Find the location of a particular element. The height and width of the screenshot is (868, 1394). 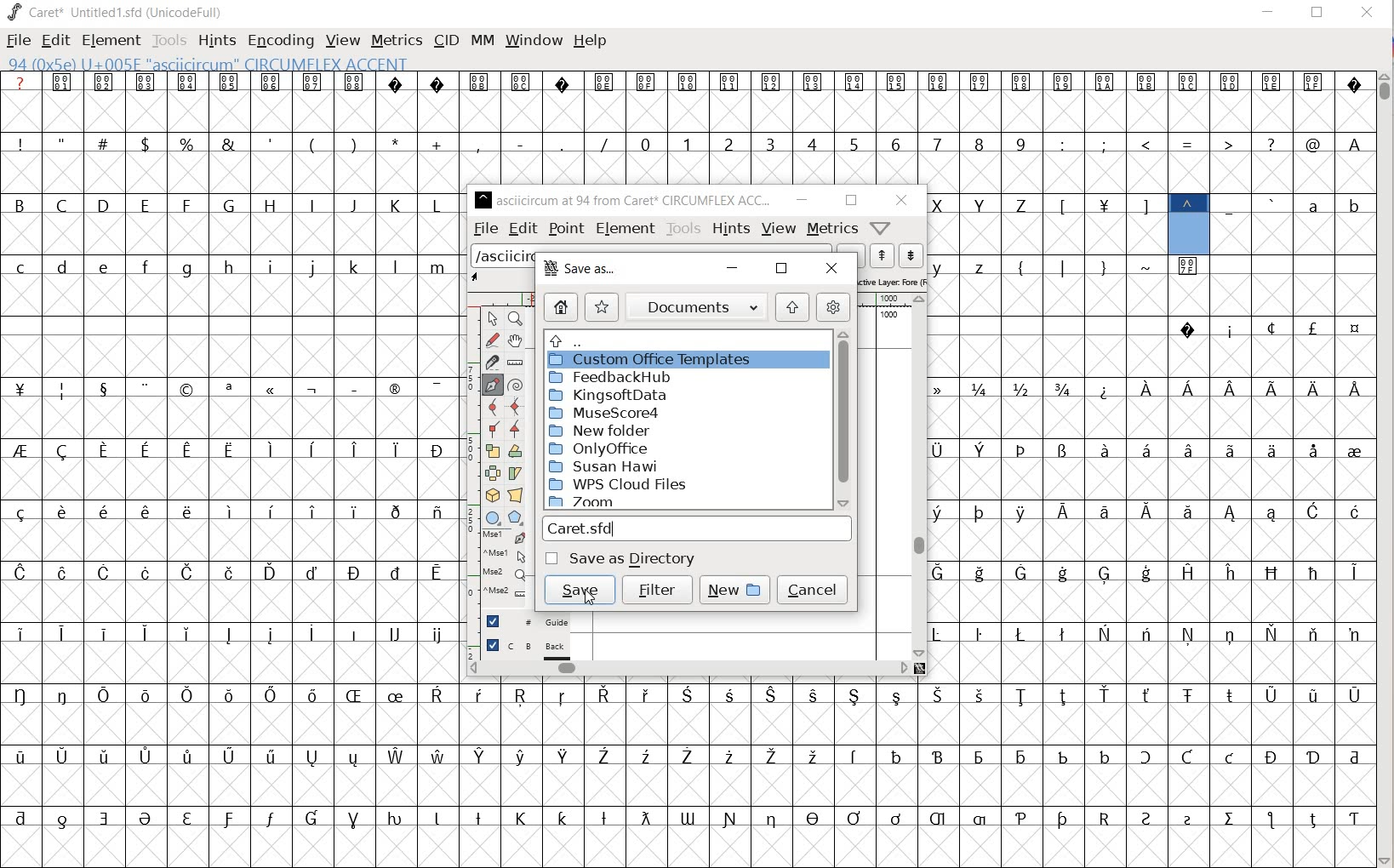

CID is located at coordinates (445, 40).